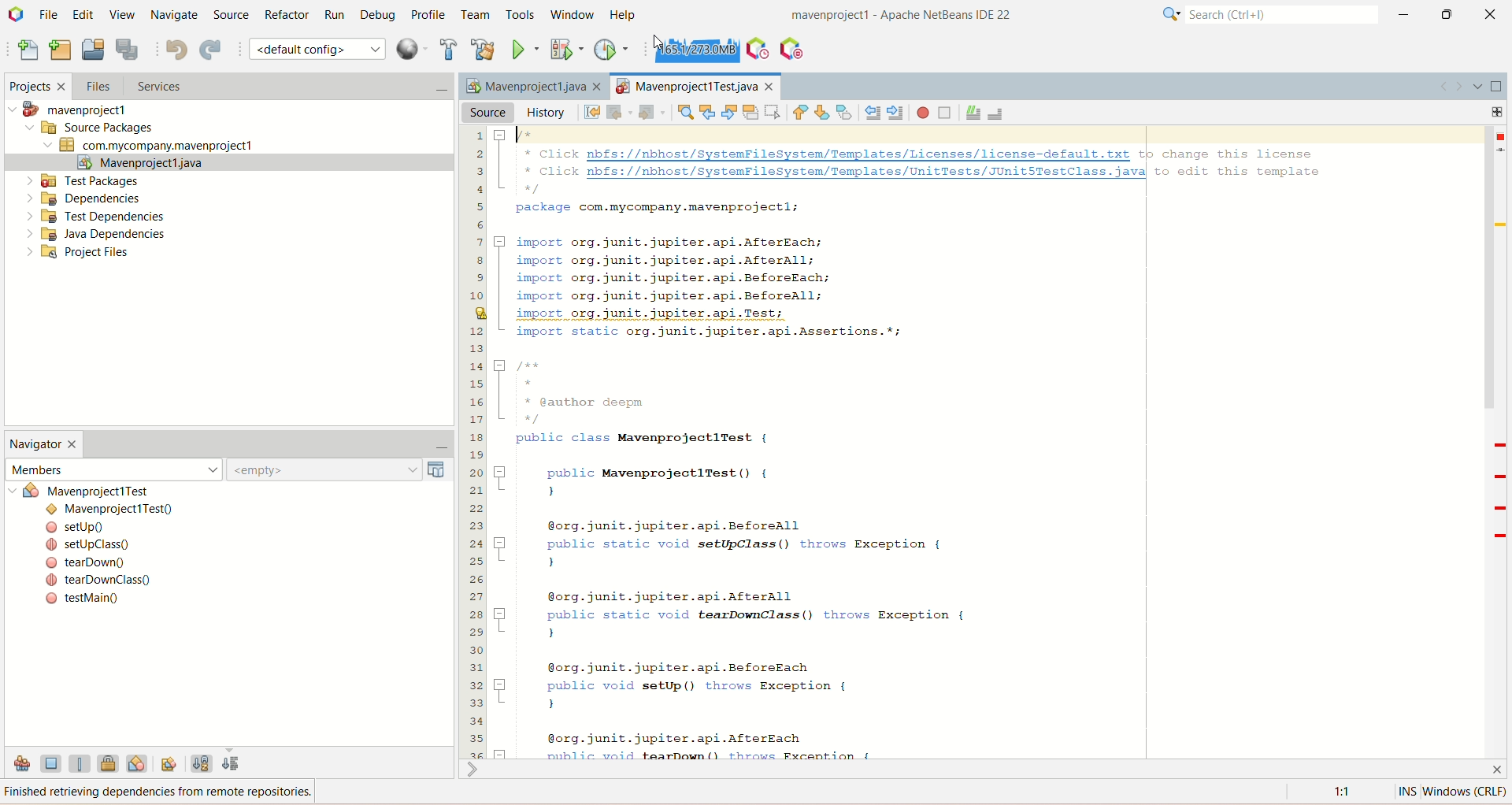  Describe the element at coordinates (656, 43) in the screenshot. I see `cursor` at that location.